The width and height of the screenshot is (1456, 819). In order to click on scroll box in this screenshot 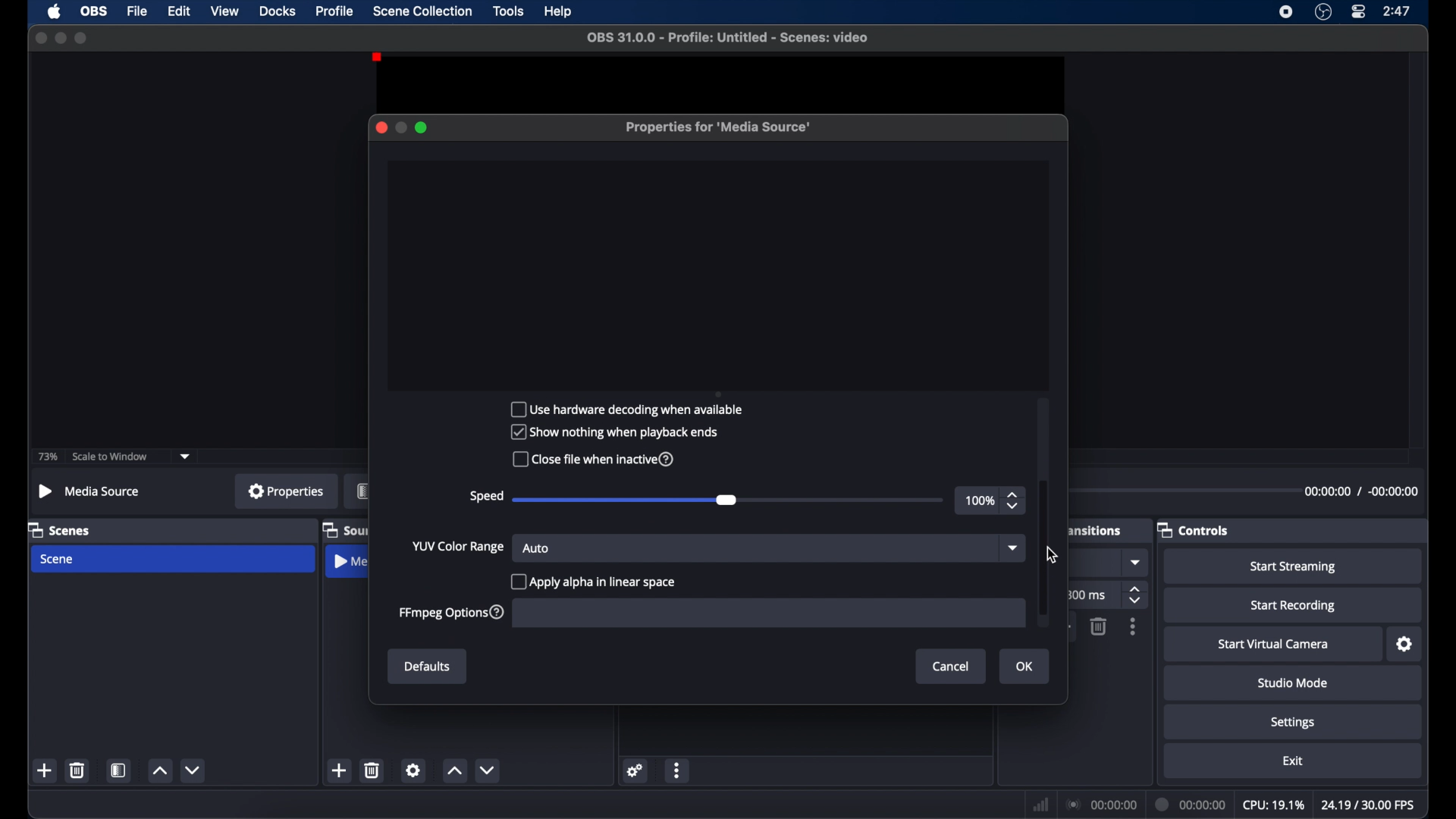, I will do `click(1043, 507)`.